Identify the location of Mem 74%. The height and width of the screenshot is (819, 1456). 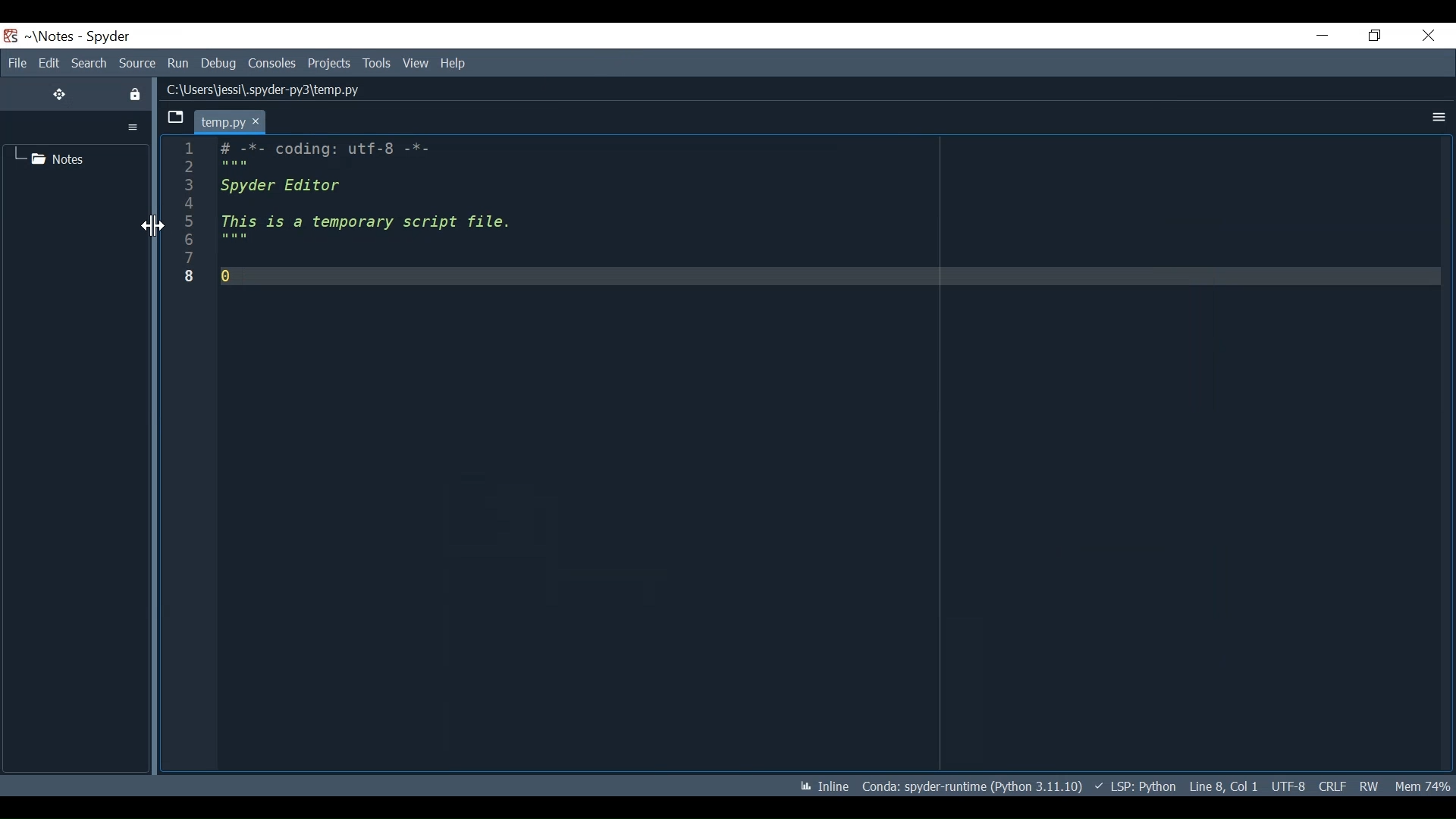
(1422, 784).